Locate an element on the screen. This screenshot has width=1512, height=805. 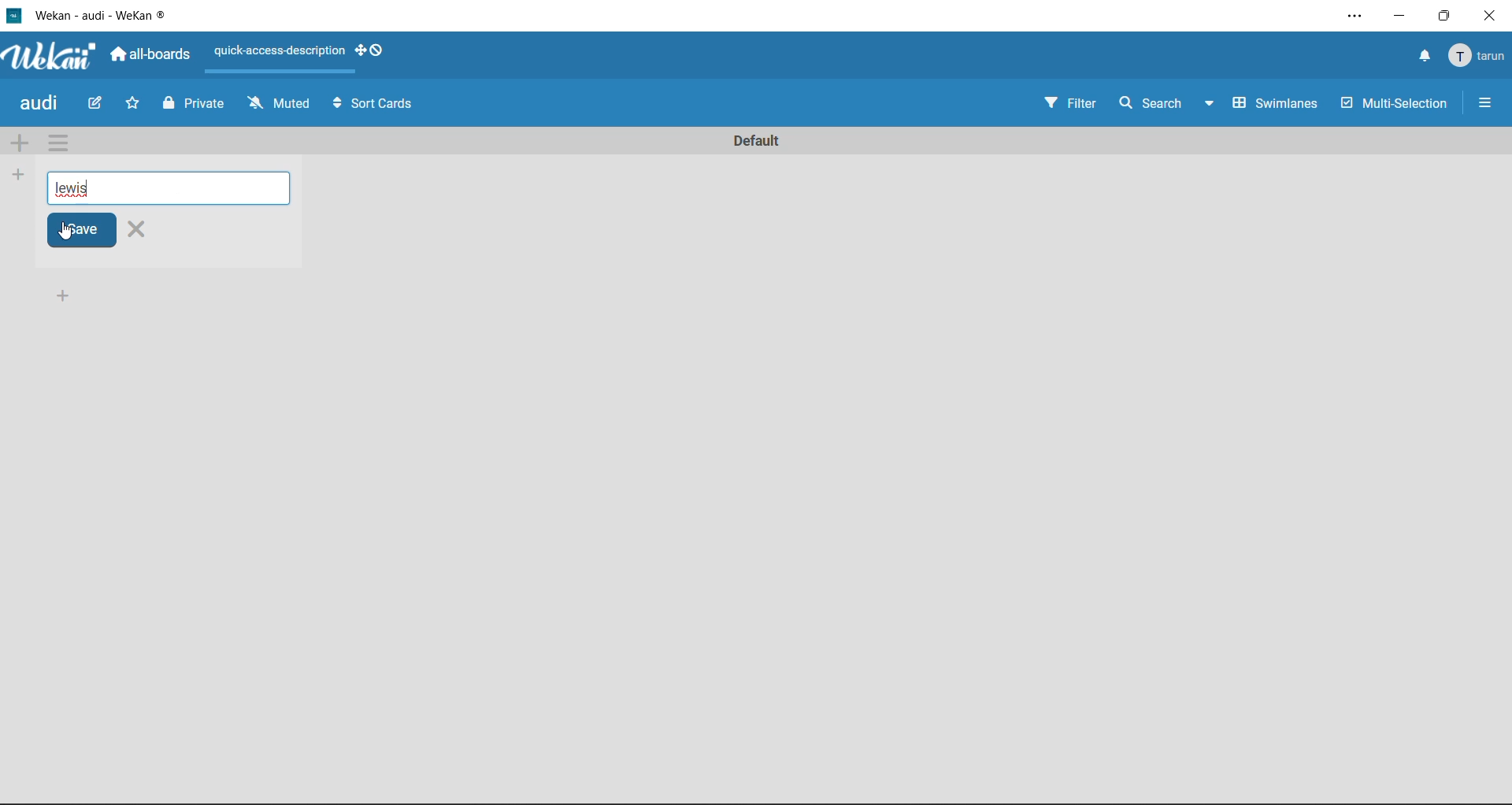
save is located at coordinates (80, 231).